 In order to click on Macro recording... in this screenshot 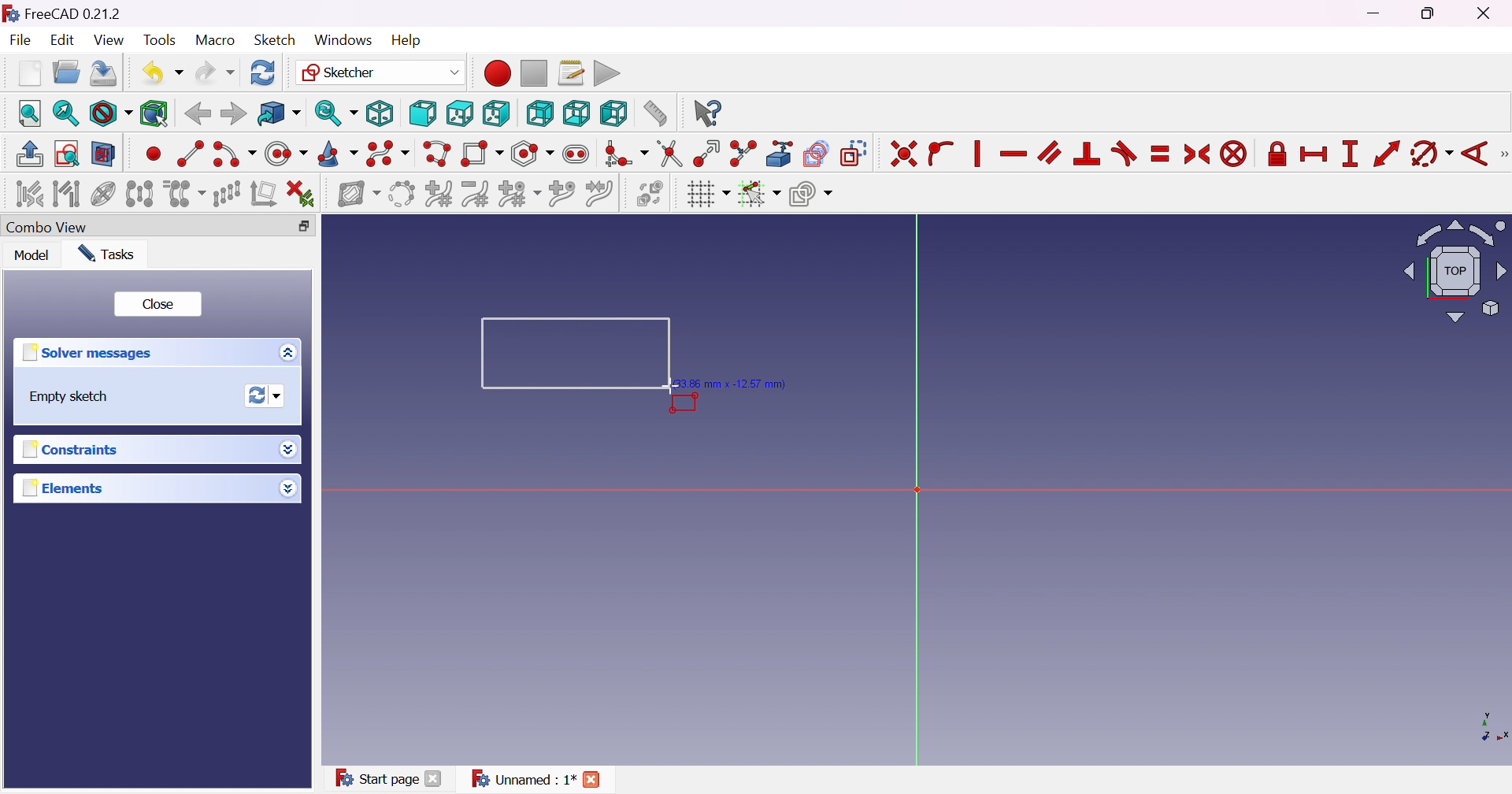, I will do `click(495, 72)`.